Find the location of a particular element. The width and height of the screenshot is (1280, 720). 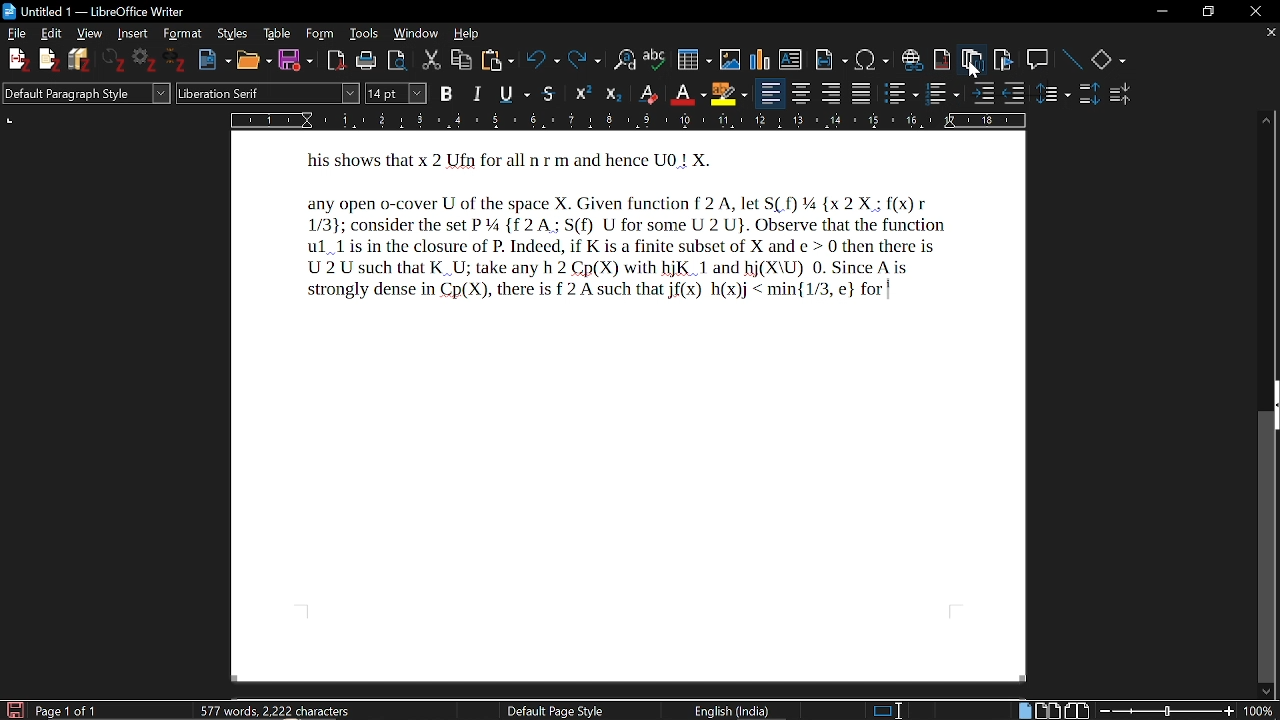

Find and replace is located at coordinates (625, 62).